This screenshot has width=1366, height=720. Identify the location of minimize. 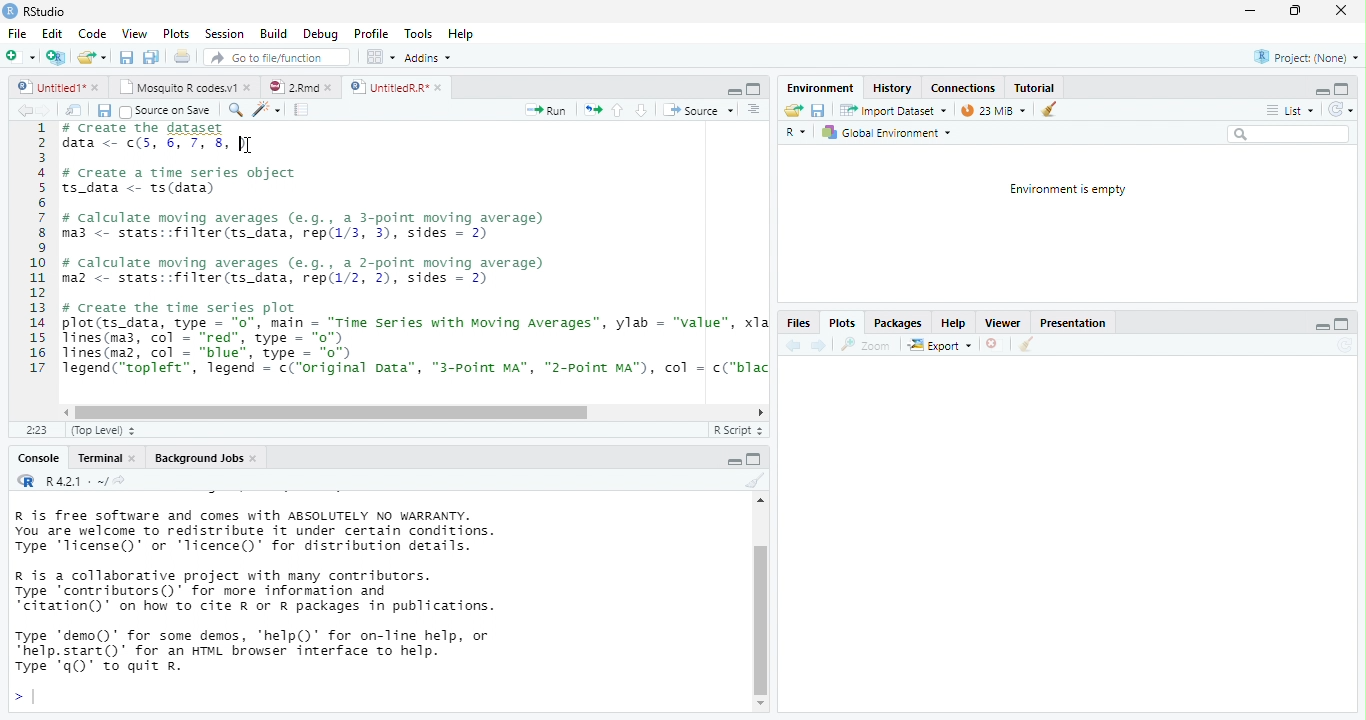
(1323, 329).